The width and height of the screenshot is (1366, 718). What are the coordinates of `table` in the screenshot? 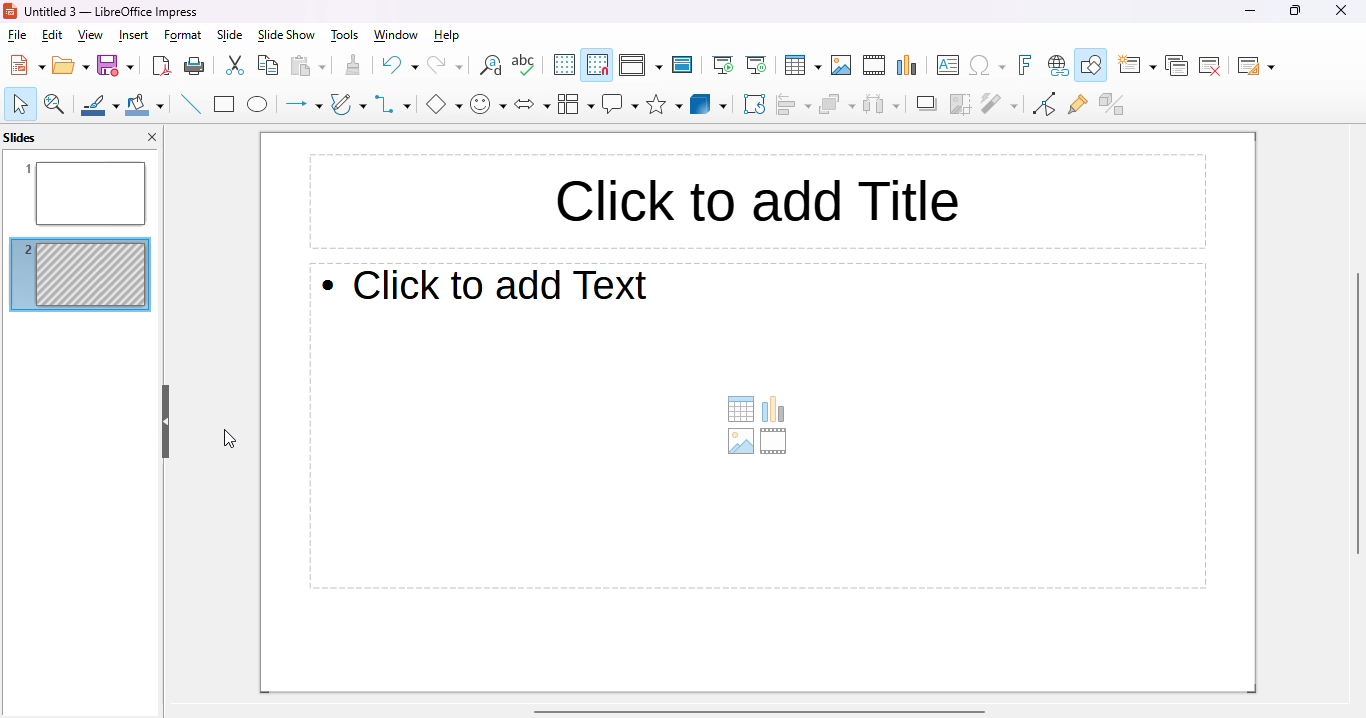 It's located at (740, 410).